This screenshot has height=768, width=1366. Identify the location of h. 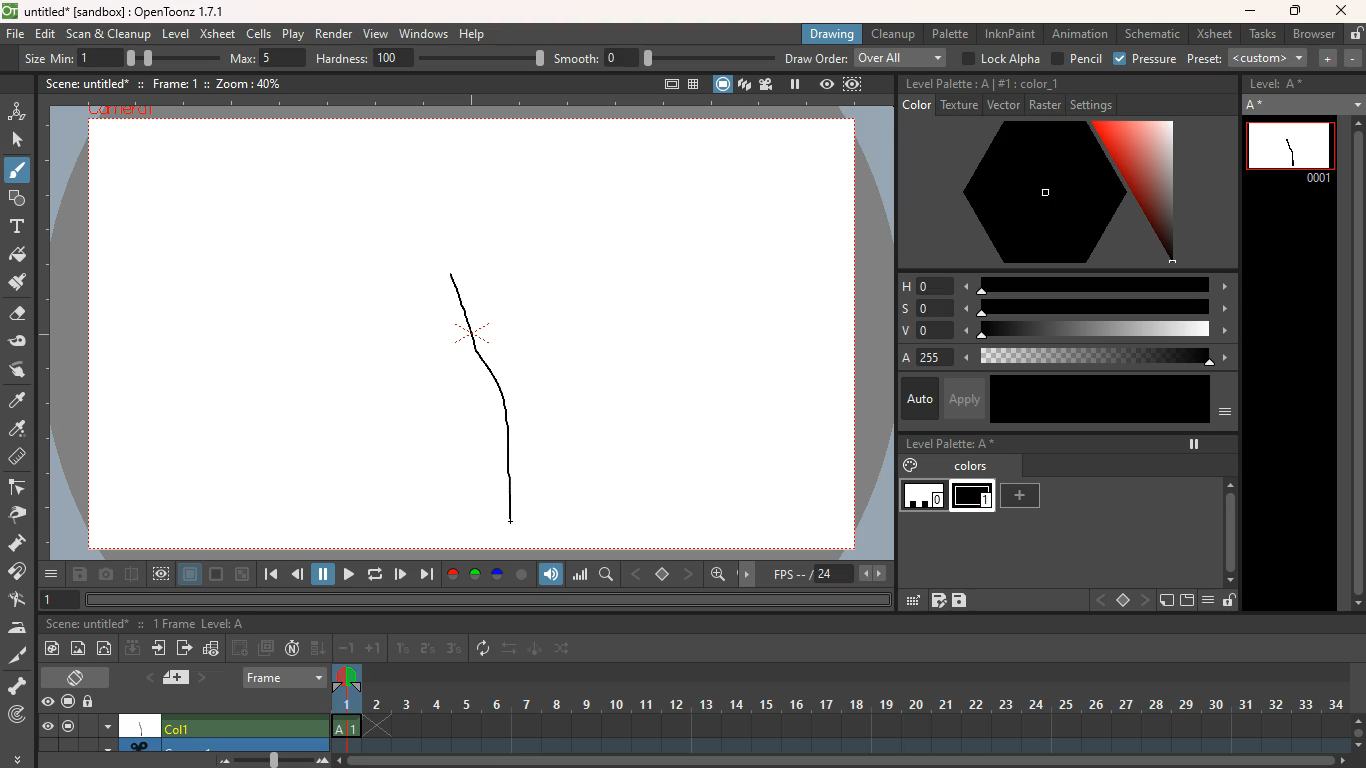
(919, 286).